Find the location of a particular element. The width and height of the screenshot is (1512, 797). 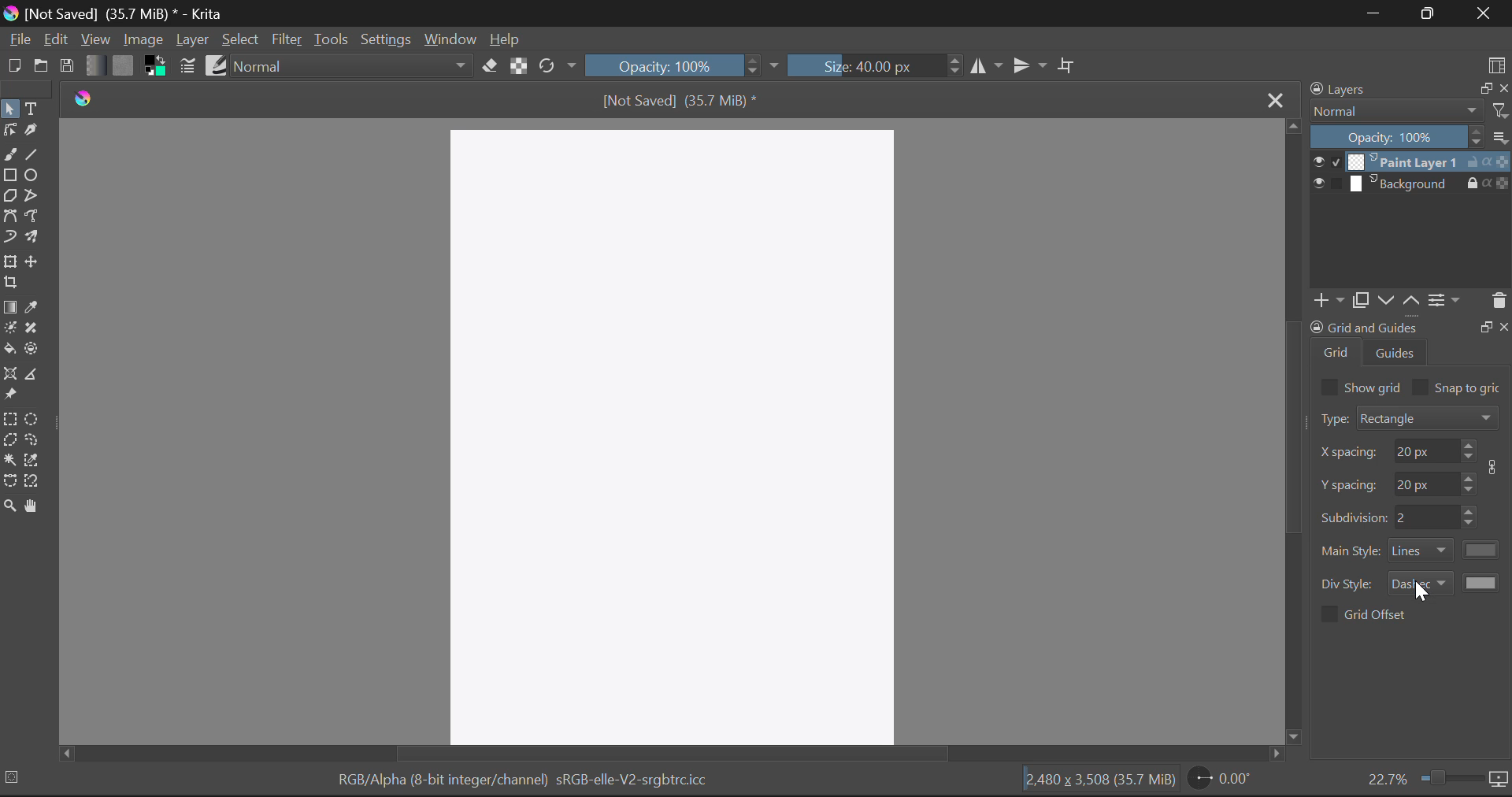

Polyline is located at coordinates (37, 197).